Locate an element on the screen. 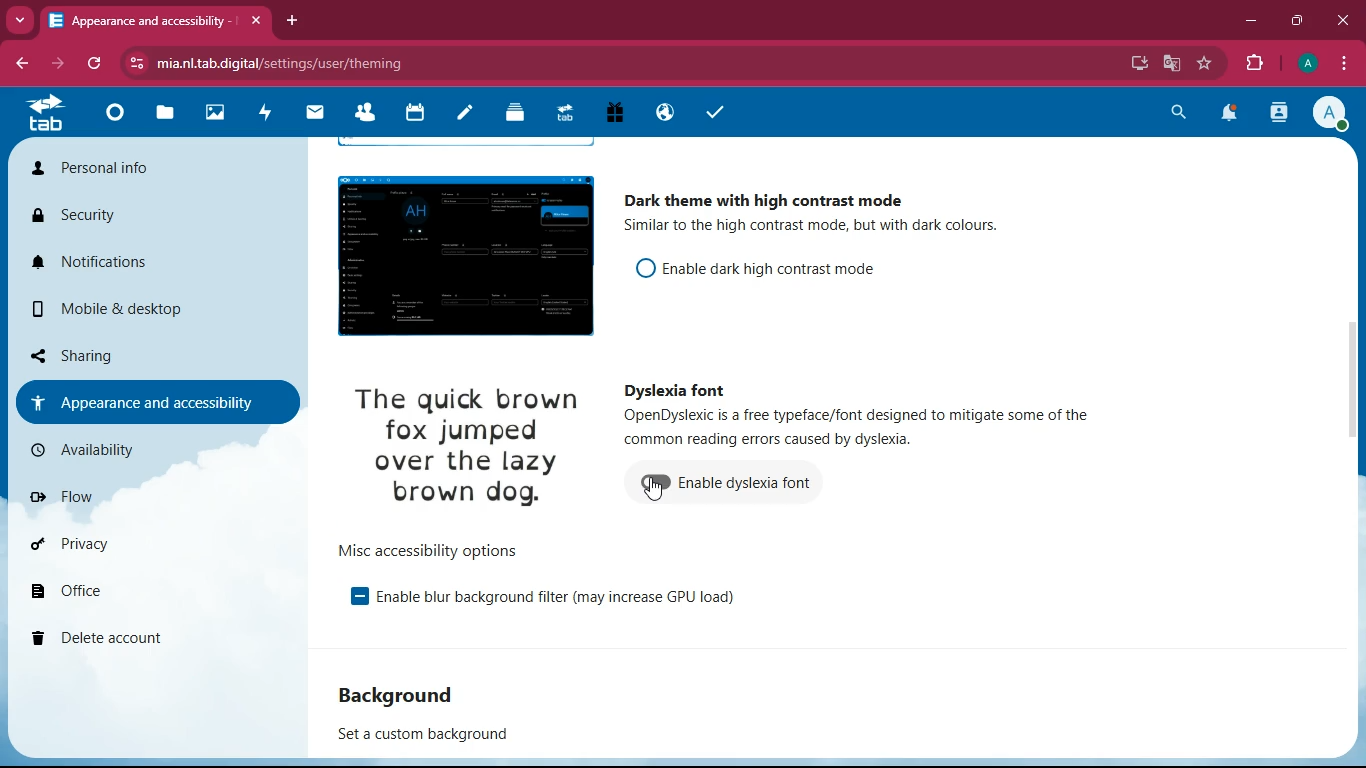  privacy is located at coordinates (141, 544).